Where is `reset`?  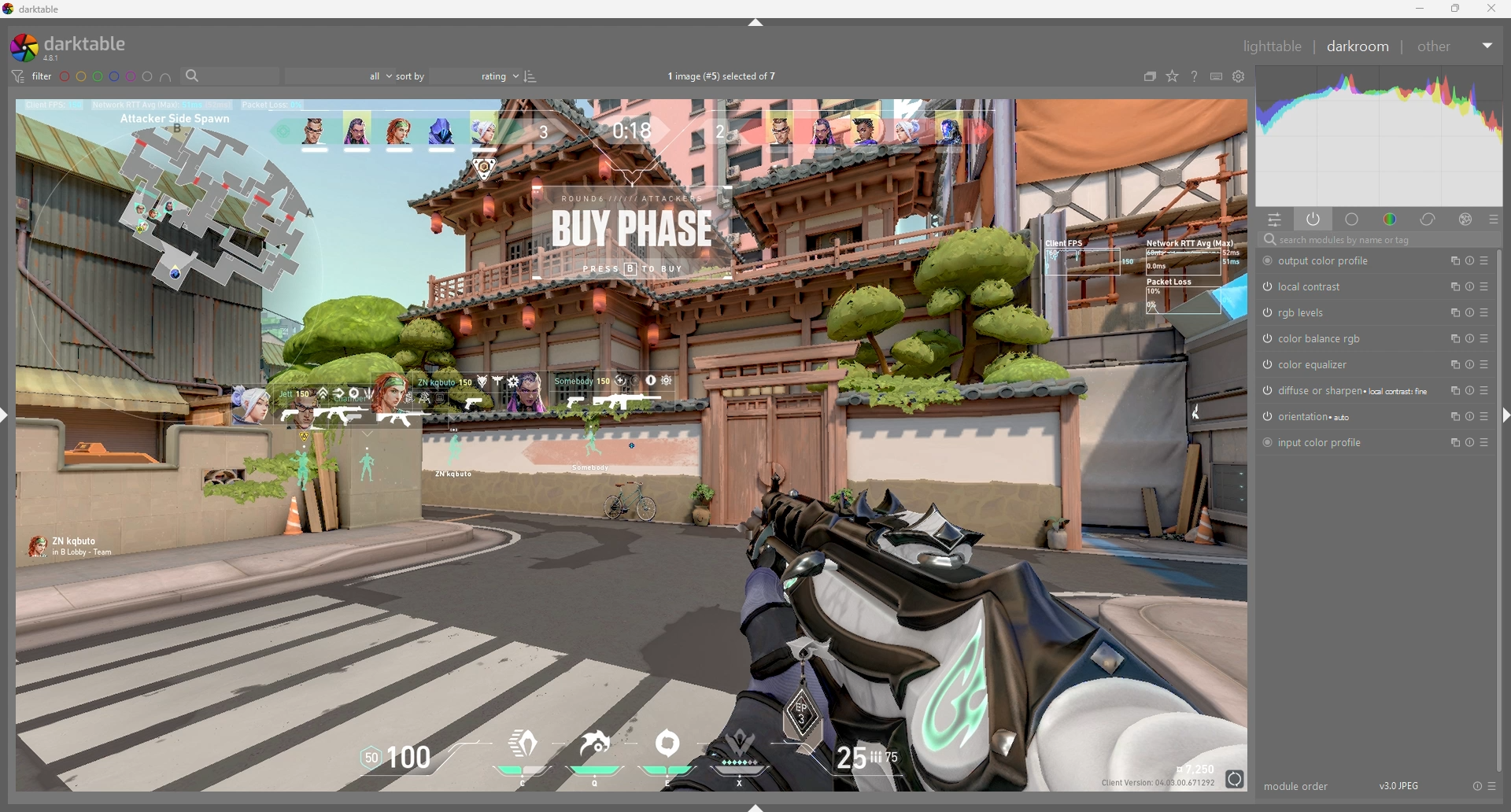
reset is located at coordinates (1470, 339).